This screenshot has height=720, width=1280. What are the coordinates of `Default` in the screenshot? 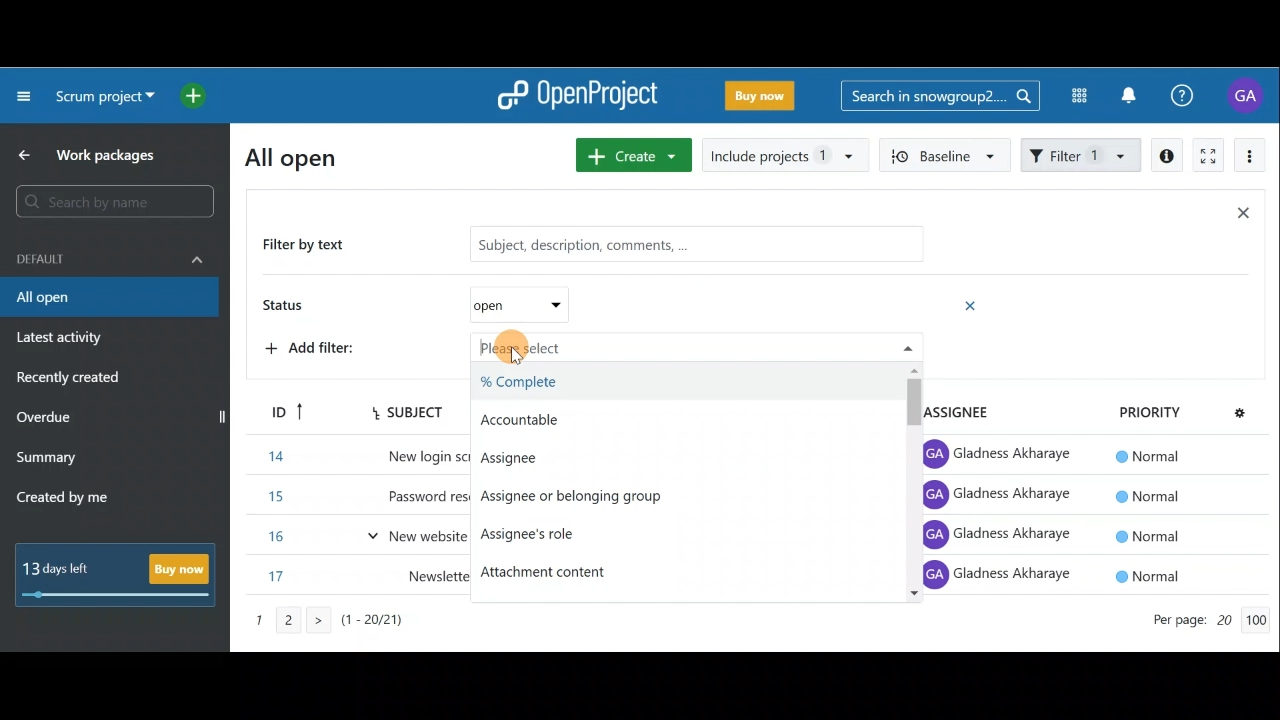 It's located at (110, 257).